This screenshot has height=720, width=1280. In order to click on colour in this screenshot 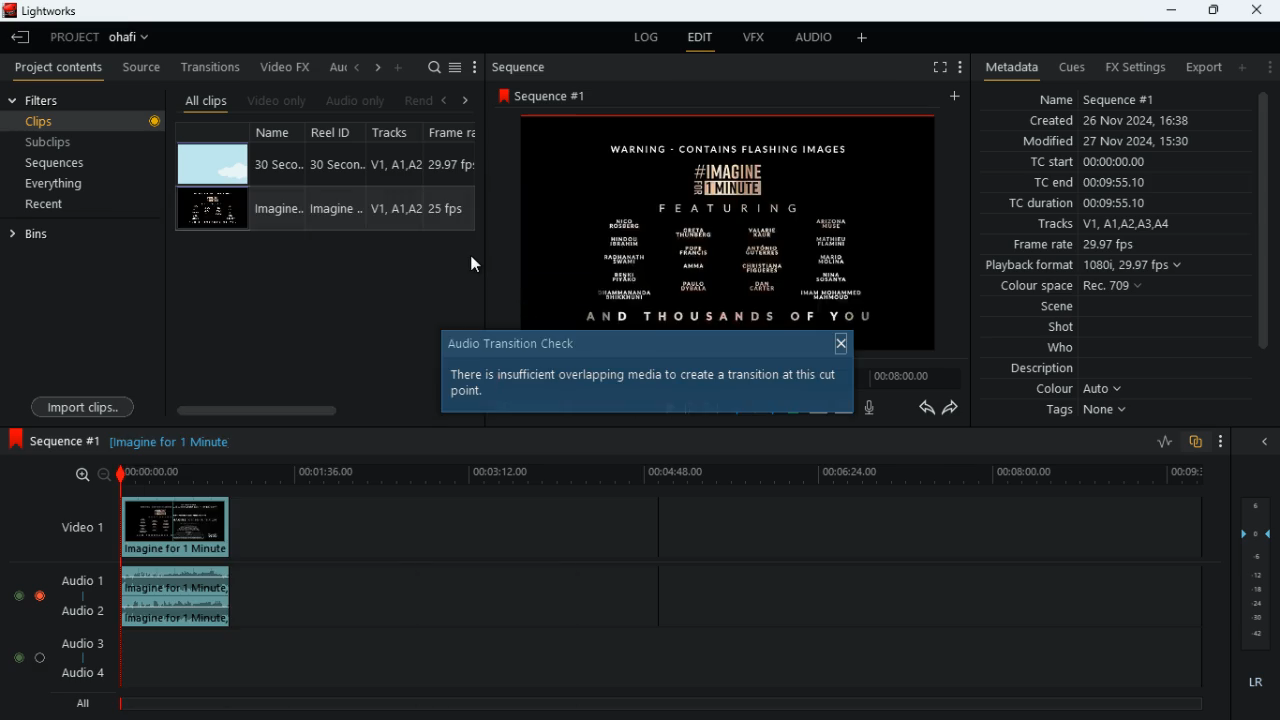, I will do `click(1080, 390)`.